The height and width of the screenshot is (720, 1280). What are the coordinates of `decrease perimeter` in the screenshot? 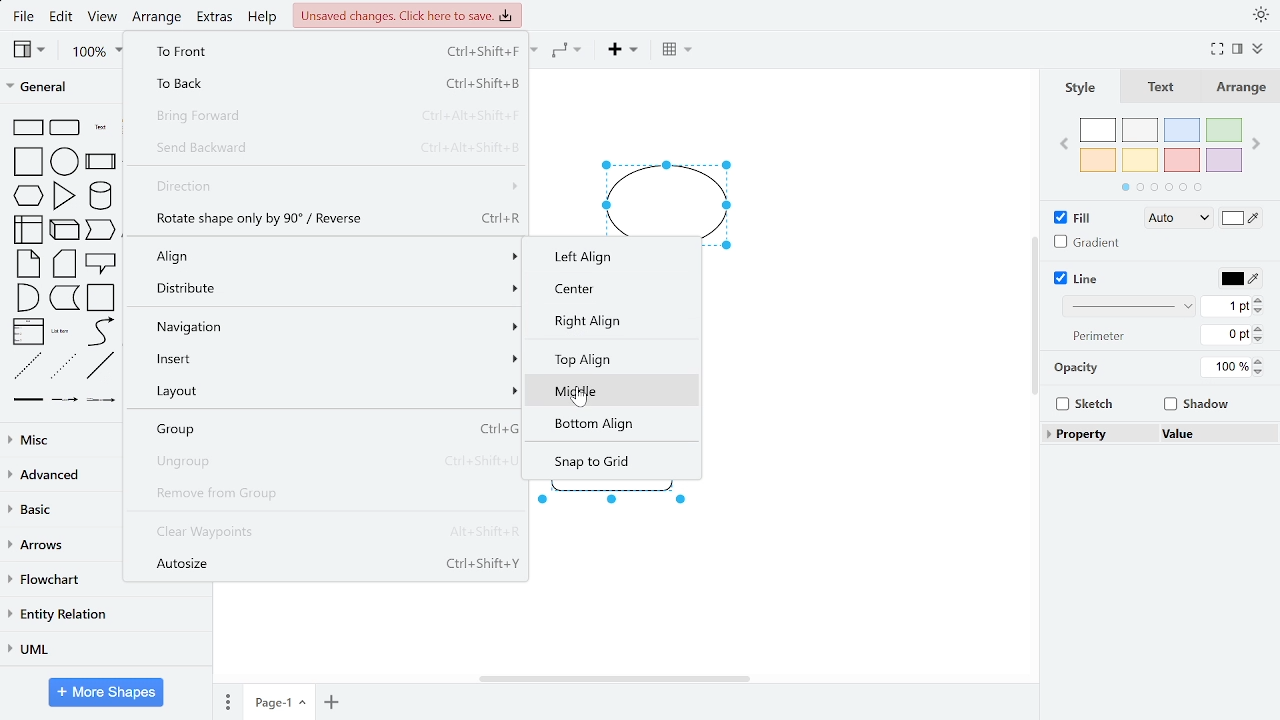 It's located at (1261, 339).